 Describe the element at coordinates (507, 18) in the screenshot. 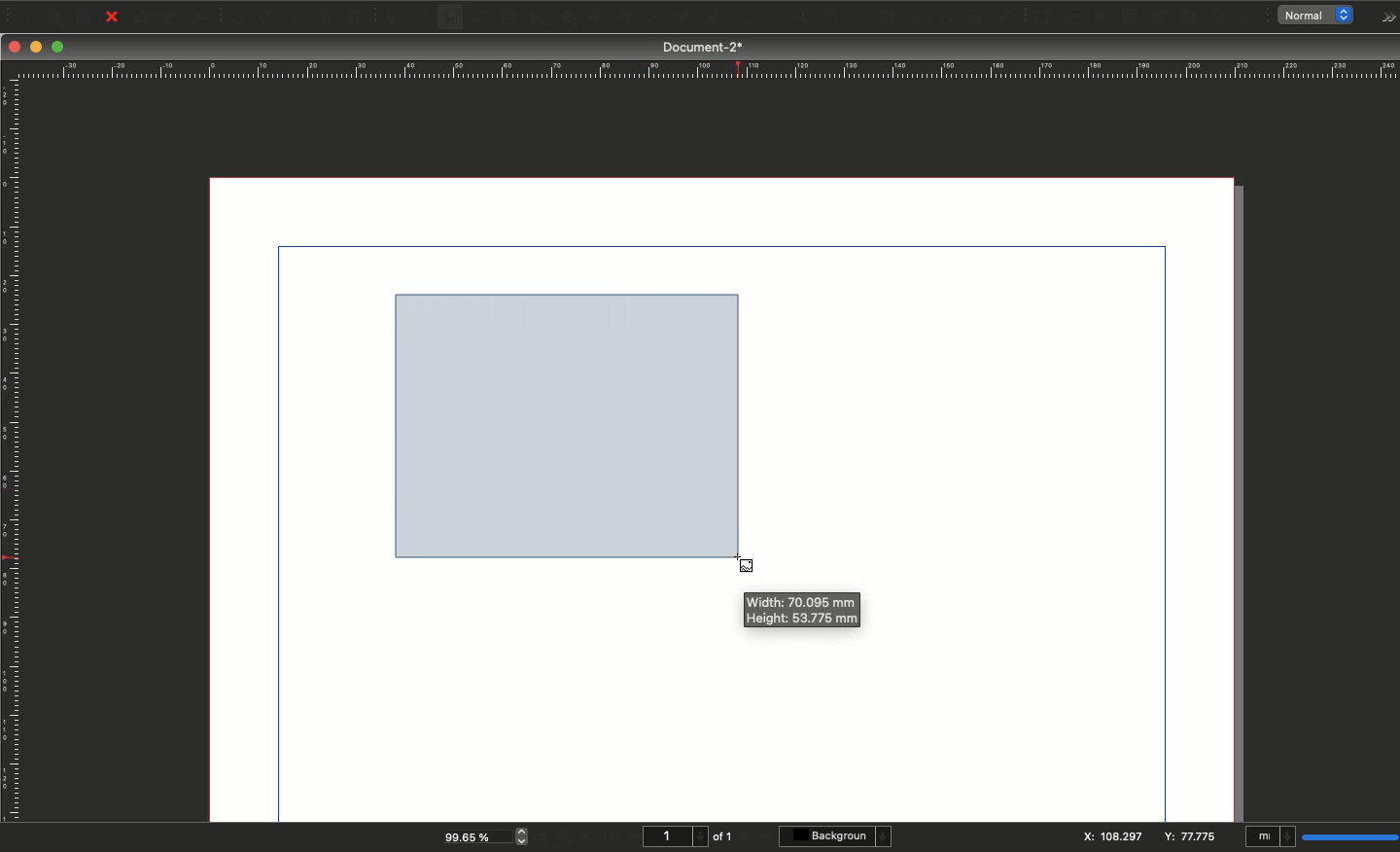

I see `Table` at that location.